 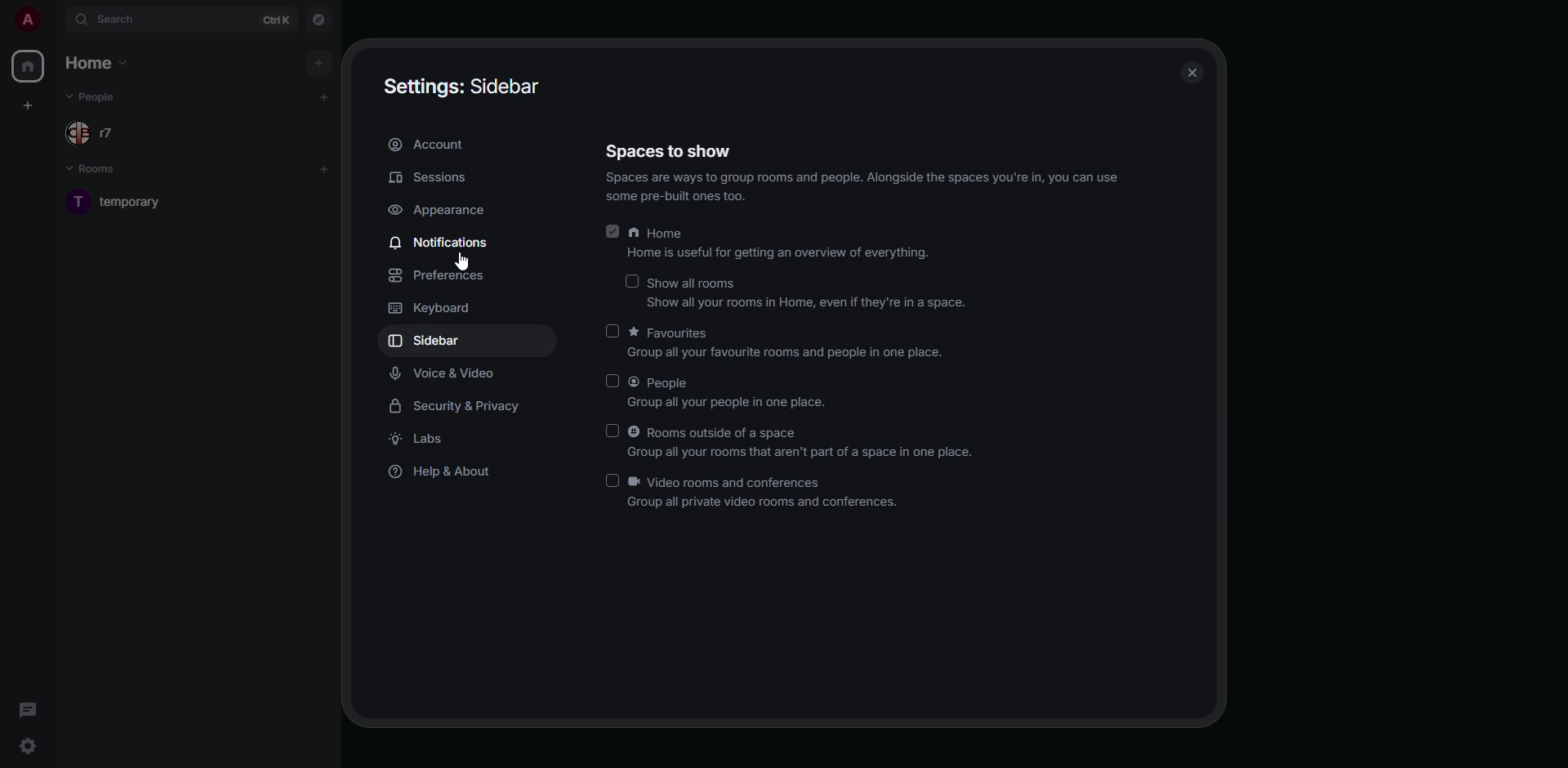 What do you see at coordinates (461, 406) in the screenshot?
I see `security & privacy` at bounding box center [461, 406].